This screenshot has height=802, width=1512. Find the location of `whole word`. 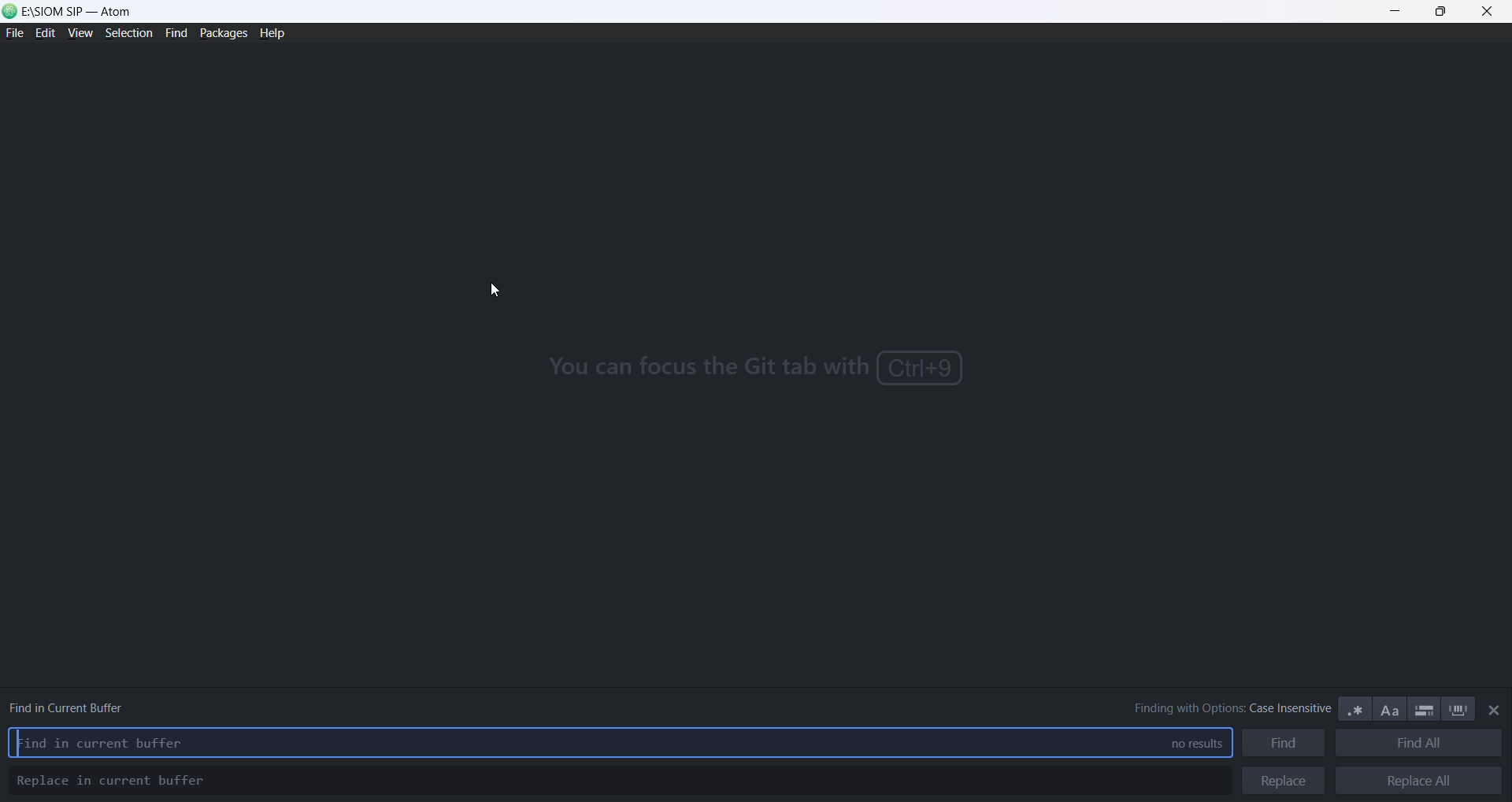

whole word is located at coordinates (1460, 710).